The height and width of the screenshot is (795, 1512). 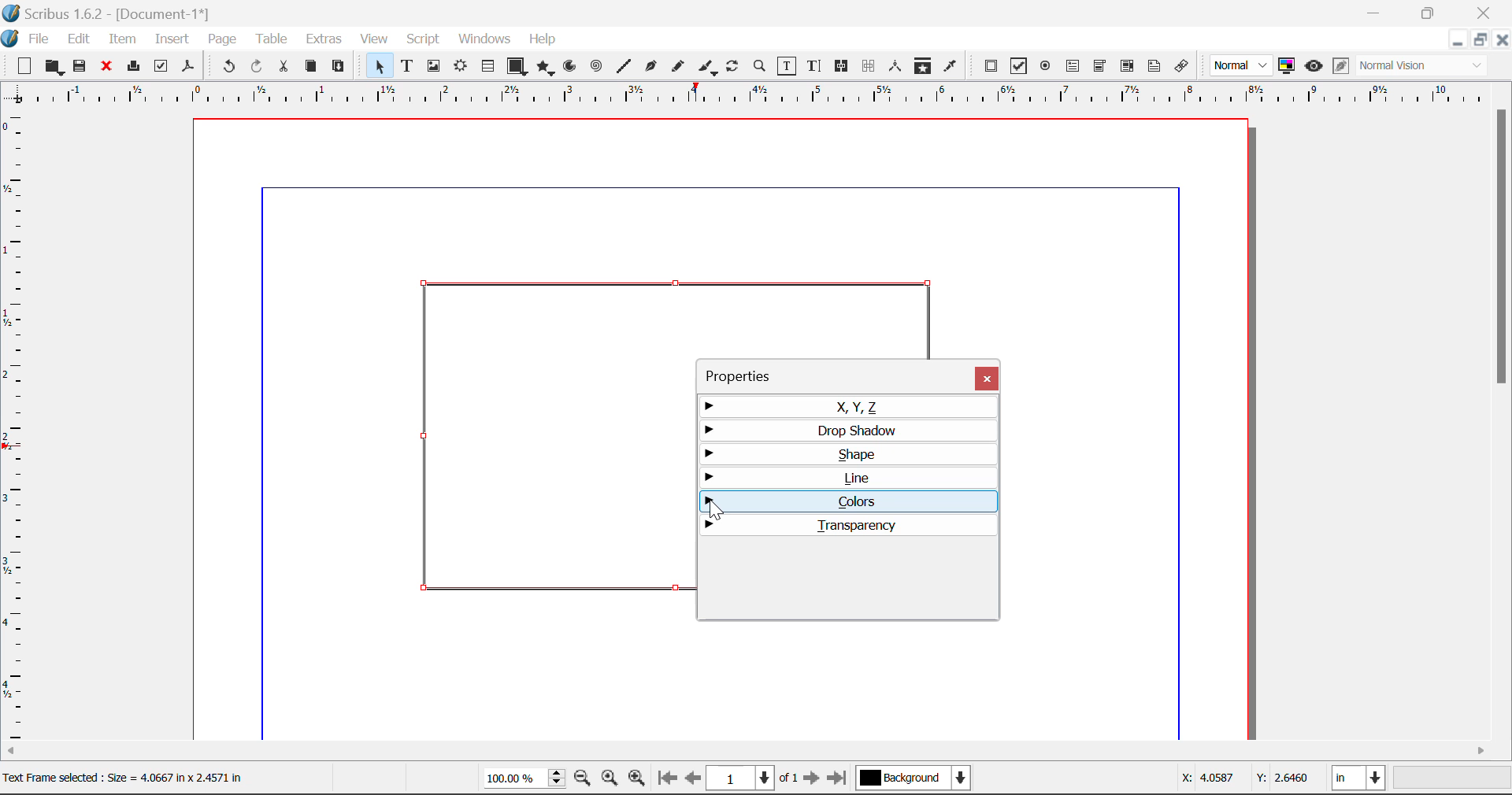 I want to click on Cut, so click(x=285, y=66).